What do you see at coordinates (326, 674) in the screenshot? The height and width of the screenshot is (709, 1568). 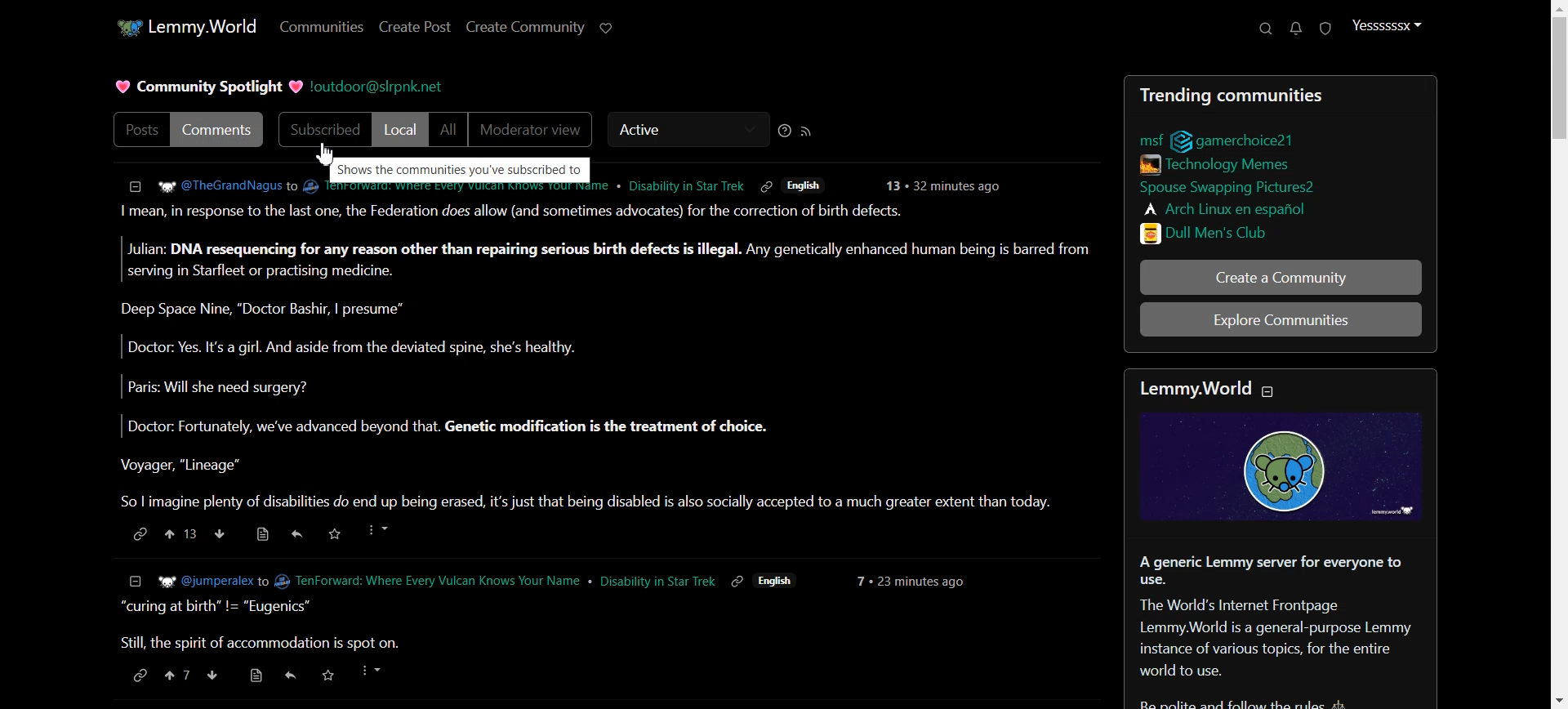 I see `save` at bounding box center [326, 674].